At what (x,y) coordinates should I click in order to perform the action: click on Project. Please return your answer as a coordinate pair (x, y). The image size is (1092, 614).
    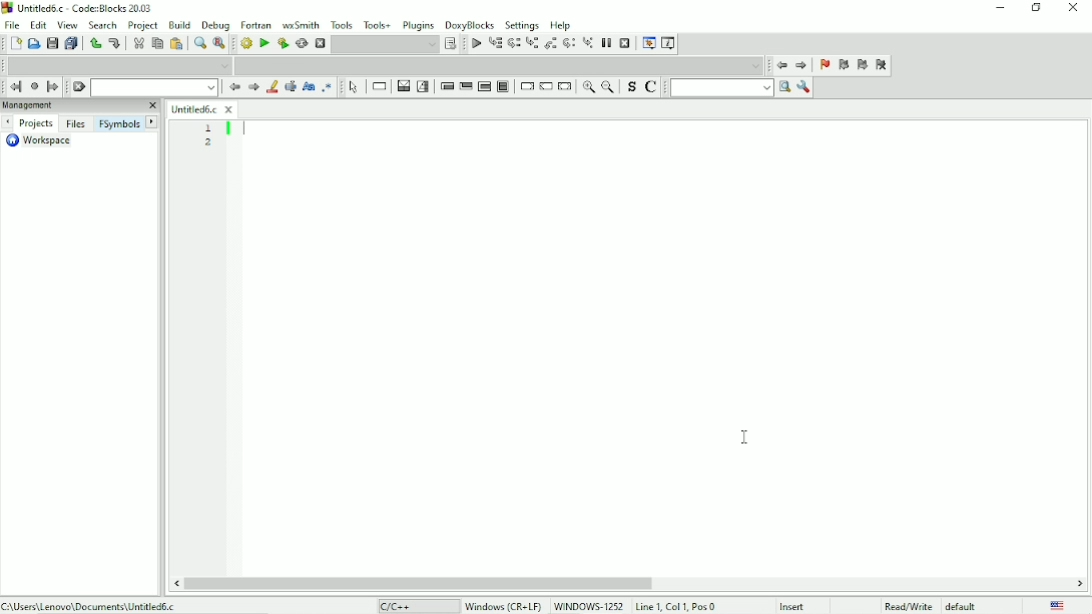
    Looking at the image, I should click on (143, 25).